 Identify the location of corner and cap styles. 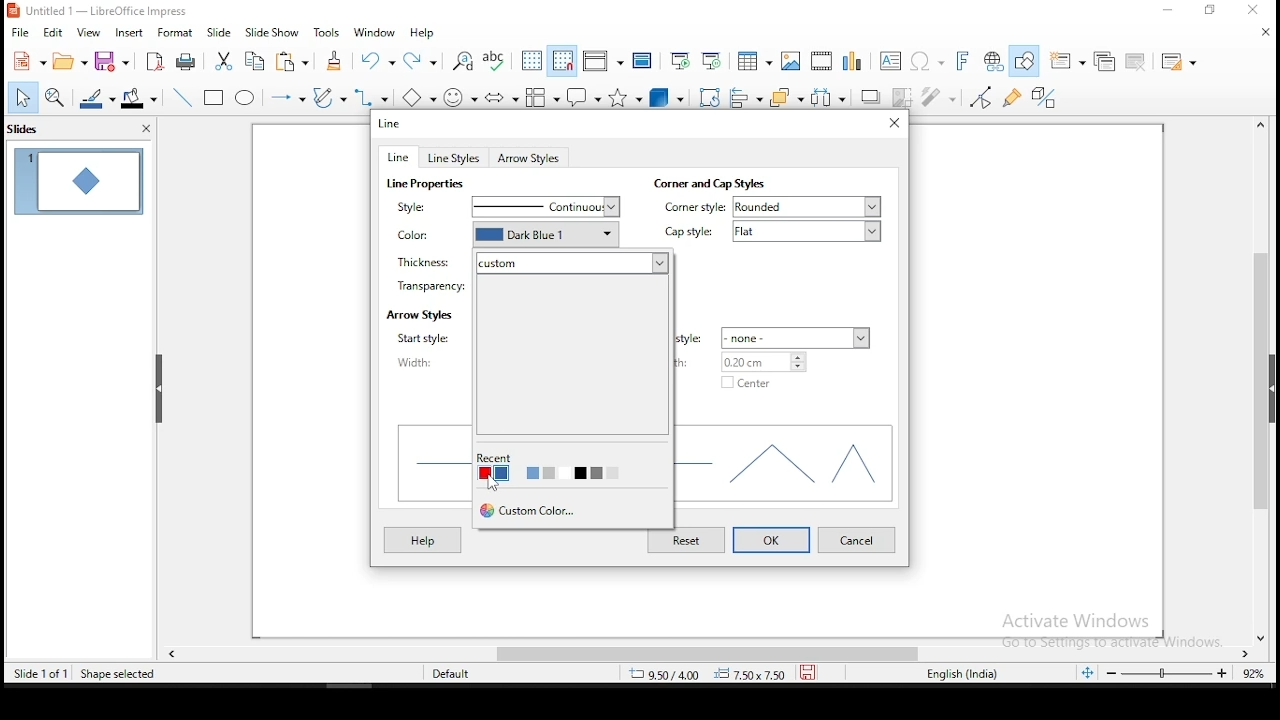
(708, 183).